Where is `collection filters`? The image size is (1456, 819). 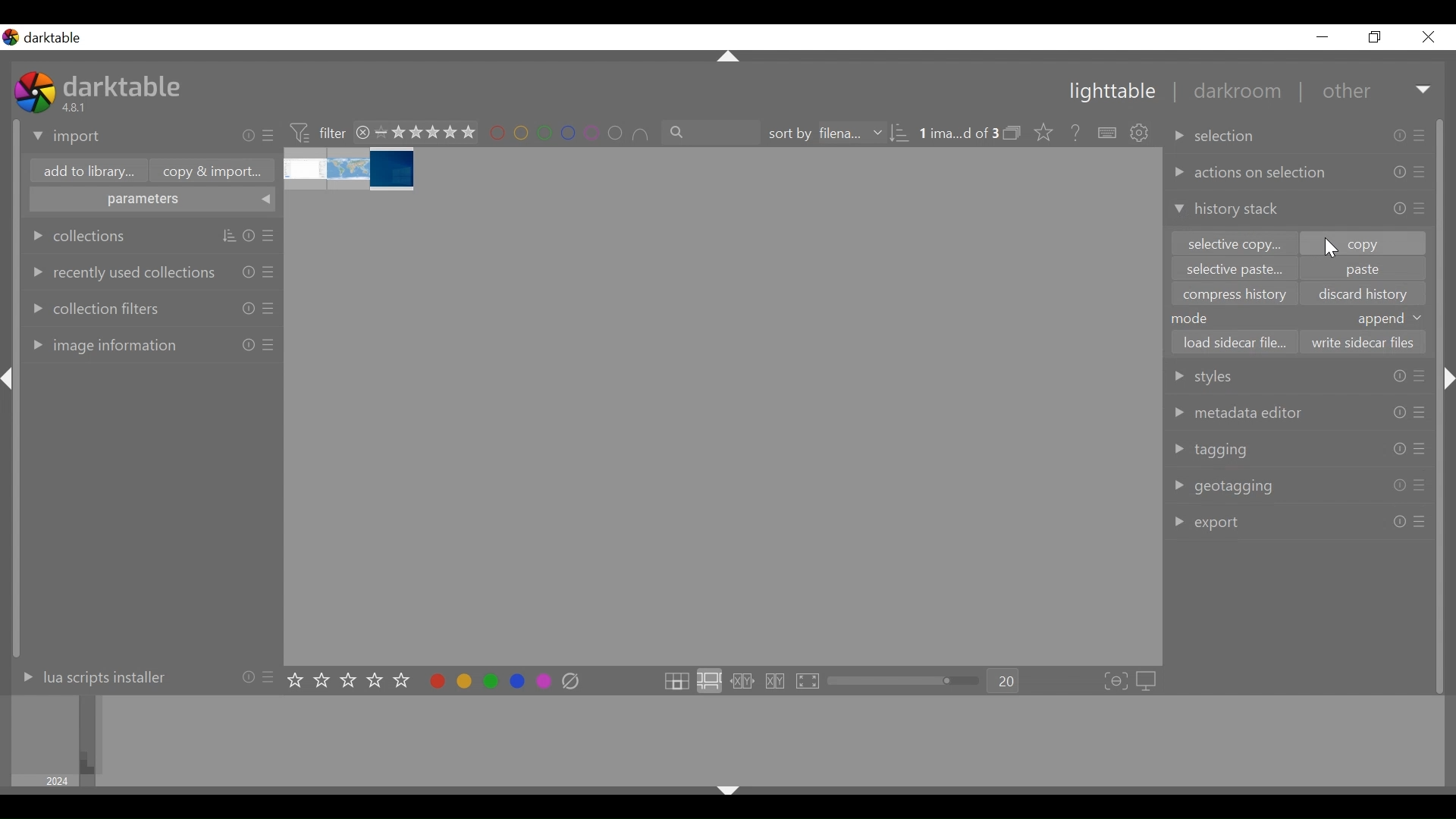
collection filters is located at coordinates (94, 306).